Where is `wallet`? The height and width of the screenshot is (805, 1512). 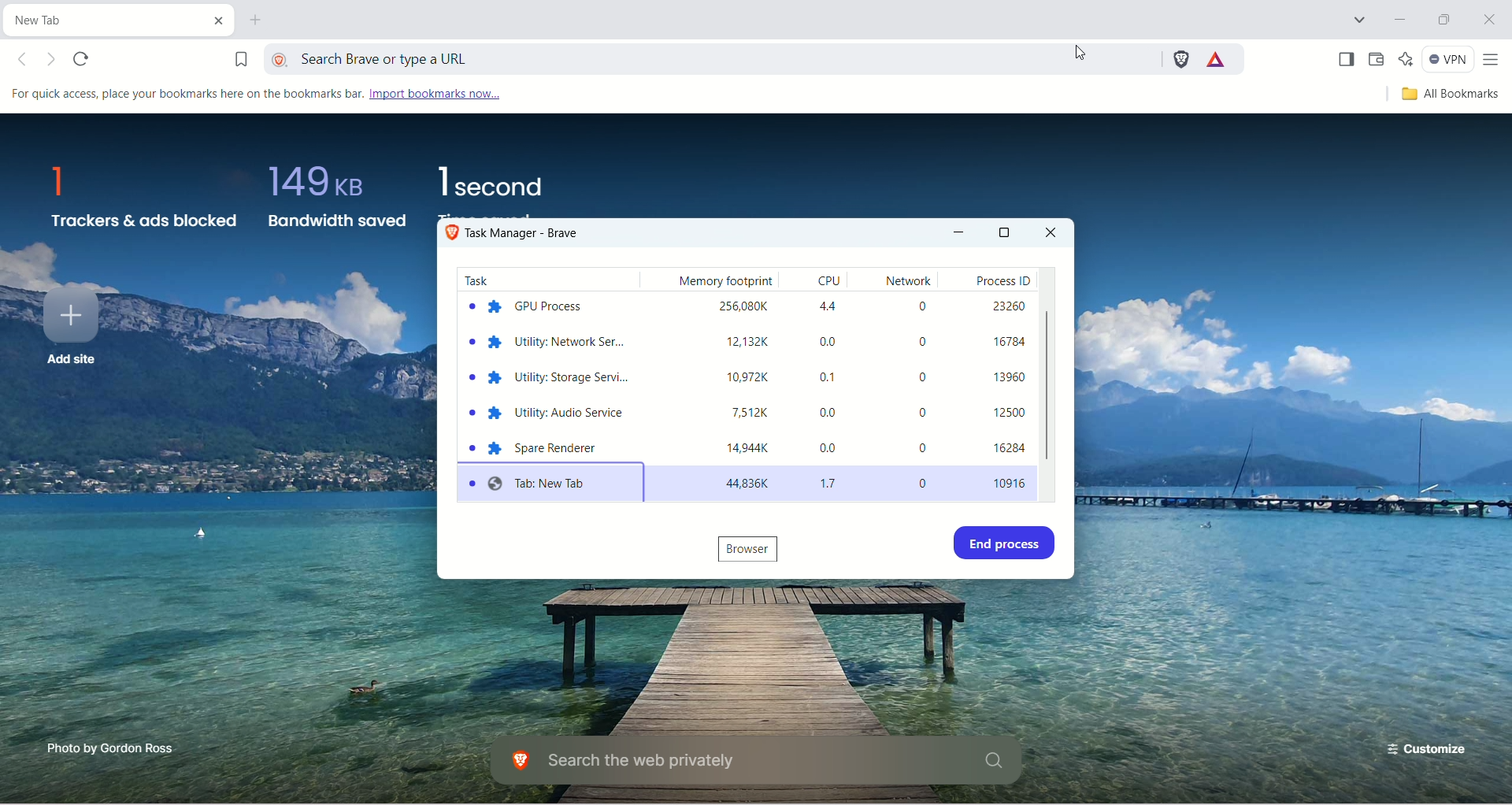 wallet is located at coordinates (1380, 60).